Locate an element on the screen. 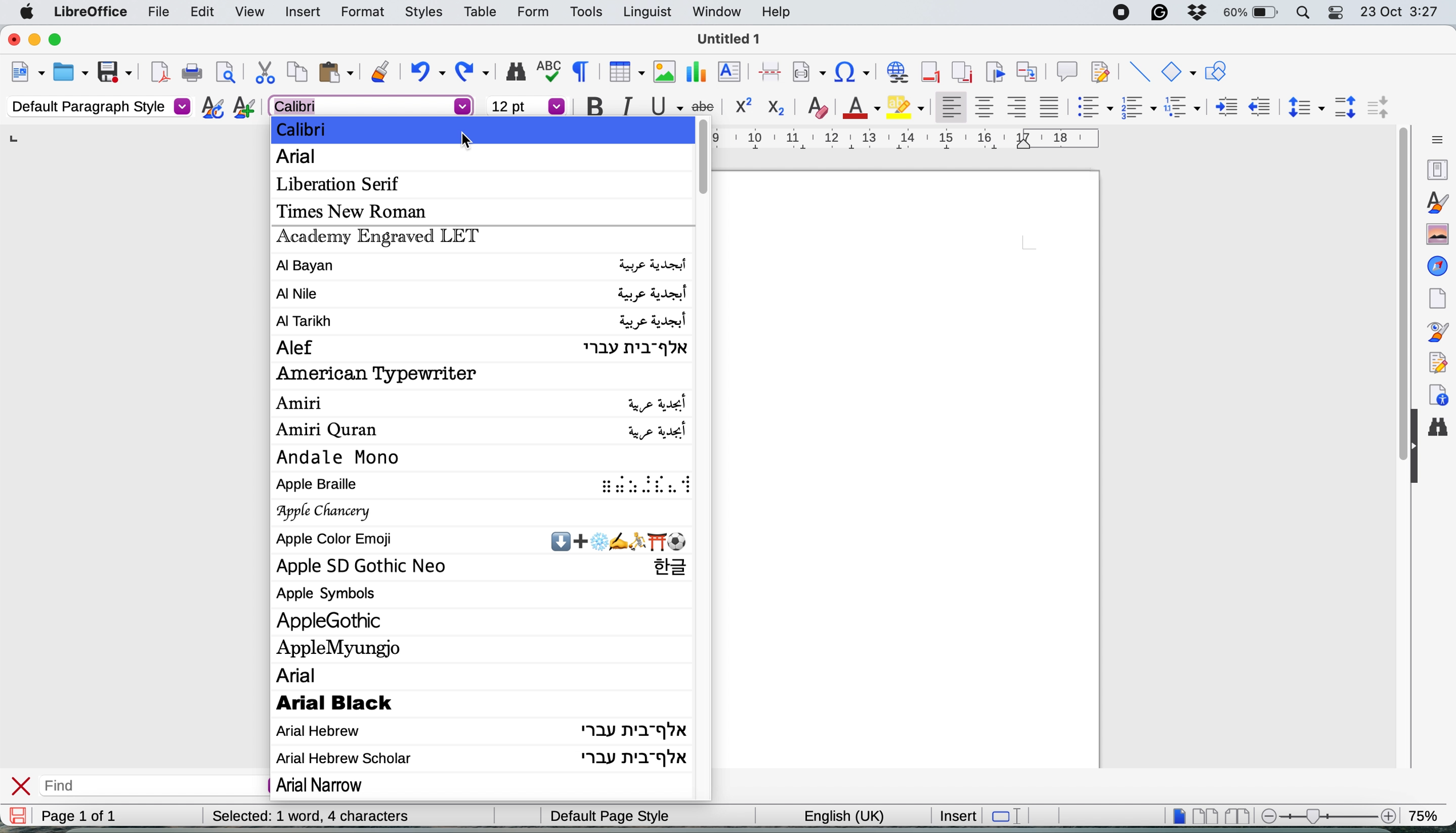 Image resolution: width=1456 pixels, height=833 pixels. clone formatting is located at coordinates (379, 72).